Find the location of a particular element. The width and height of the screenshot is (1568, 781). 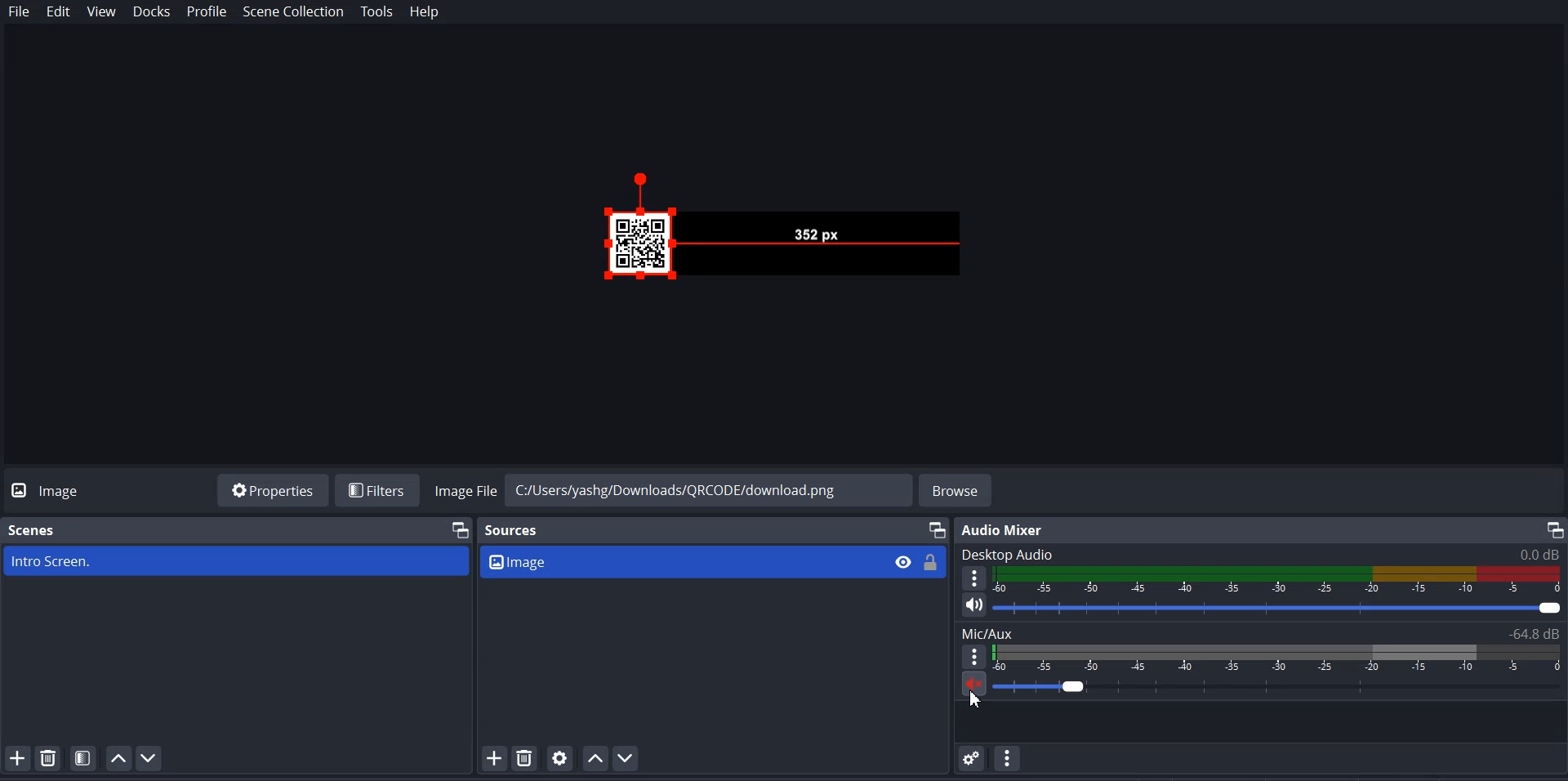

scene is located at coordinates (237, 560).